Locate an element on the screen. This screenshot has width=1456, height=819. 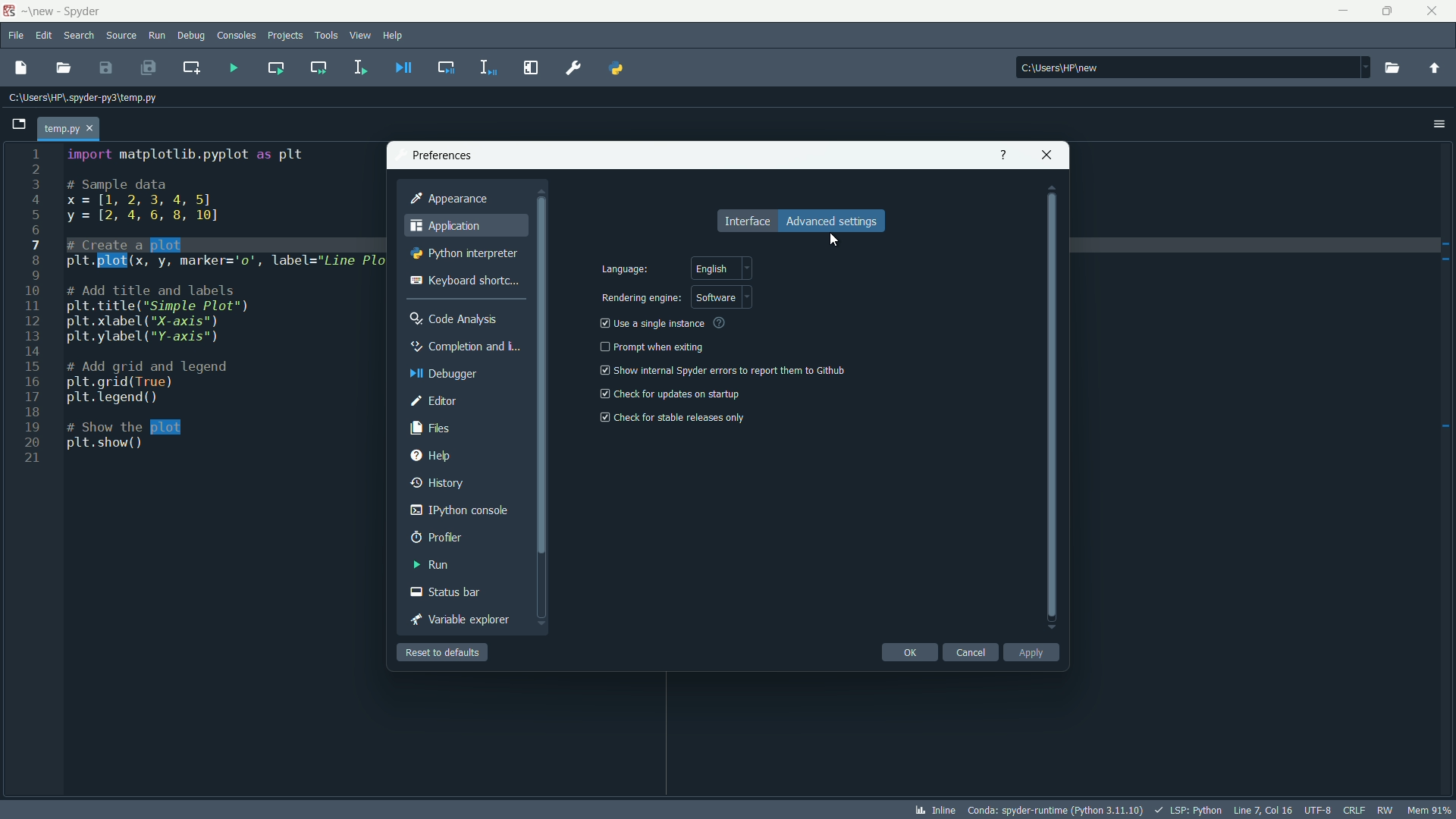
run current cell and go to the next one is located at coordinates (320, 67).